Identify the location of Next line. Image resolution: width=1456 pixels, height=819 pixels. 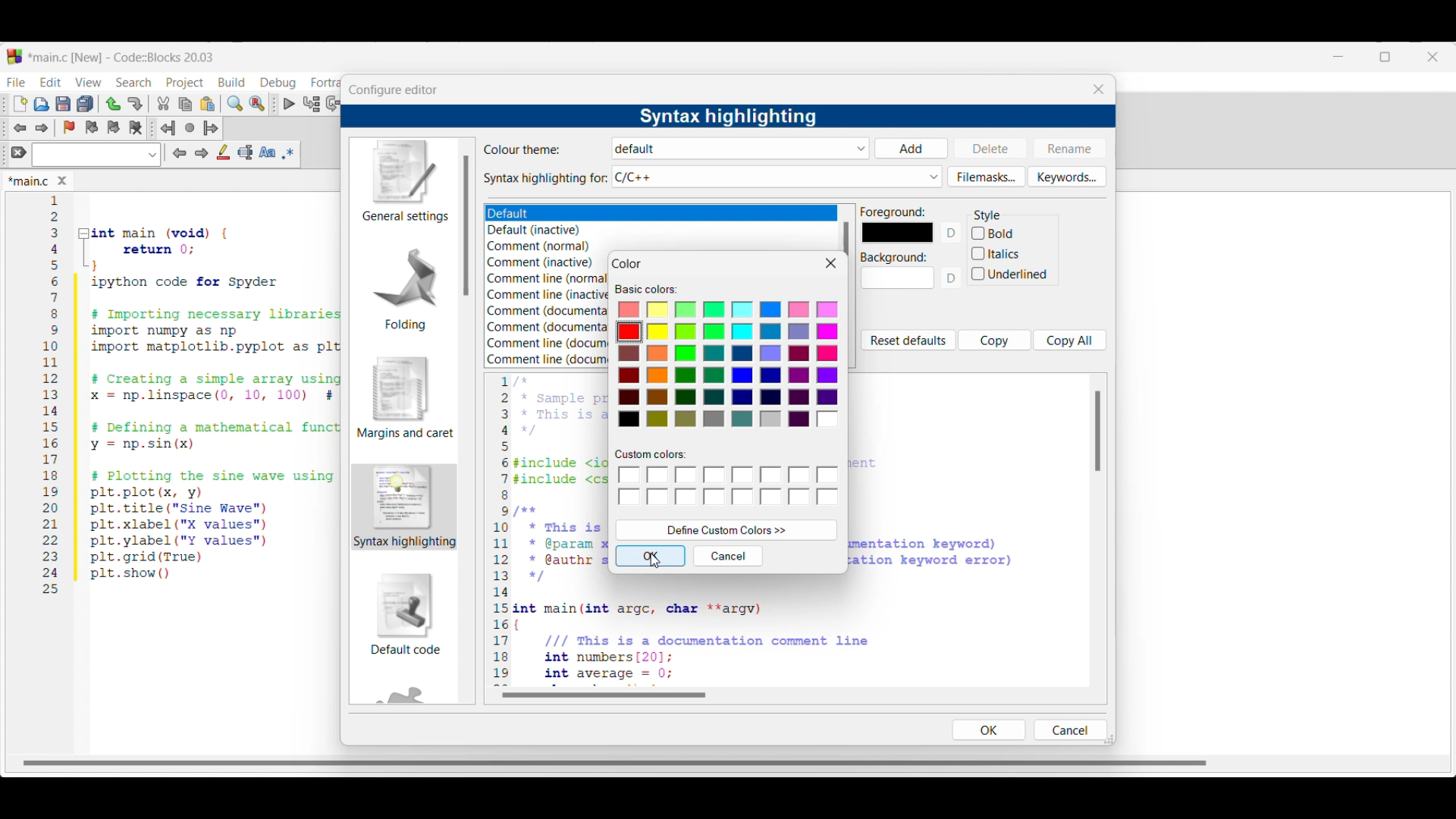
(334, 104).